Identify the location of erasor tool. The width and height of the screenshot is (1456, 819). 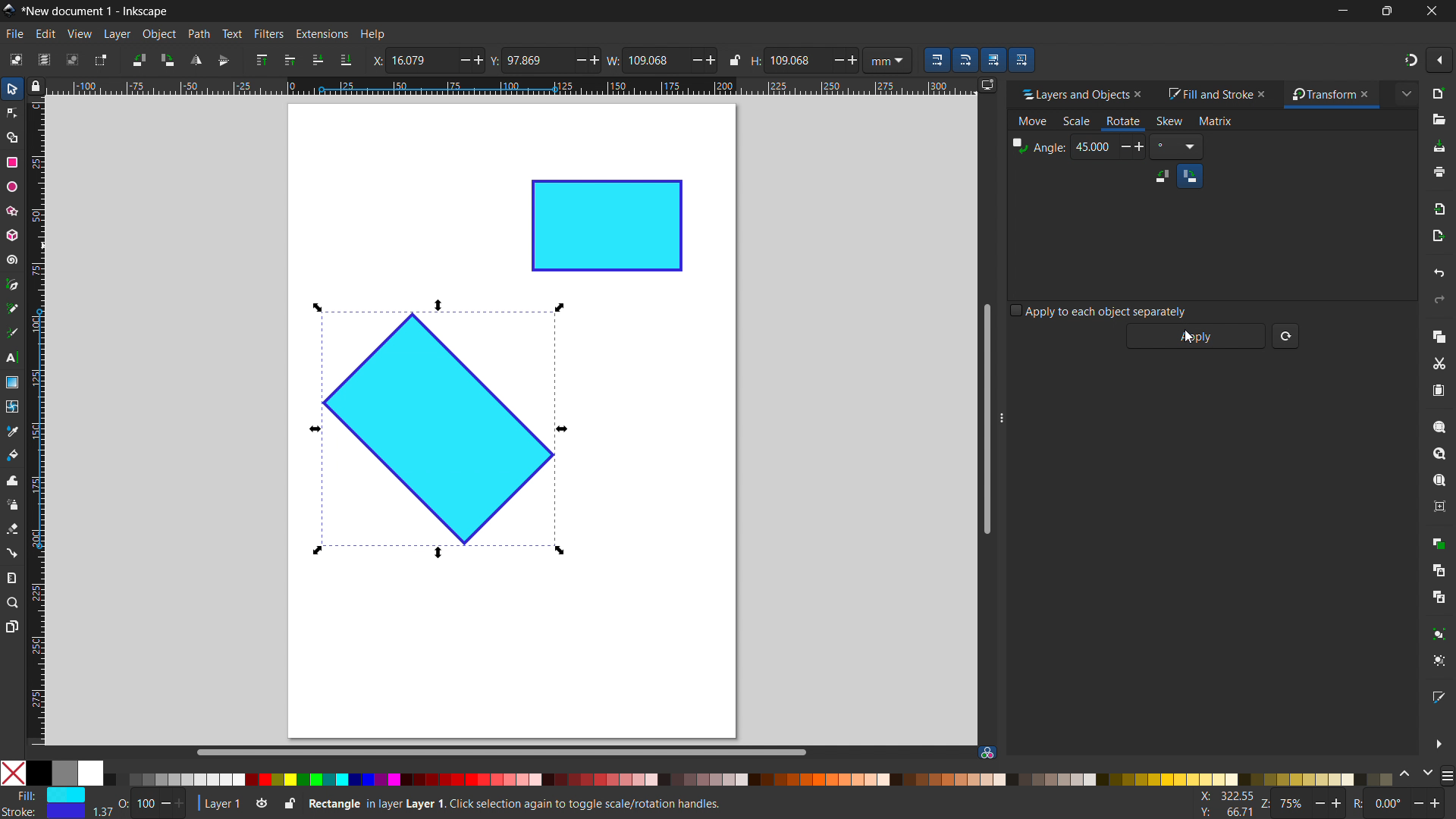
(12, 529).